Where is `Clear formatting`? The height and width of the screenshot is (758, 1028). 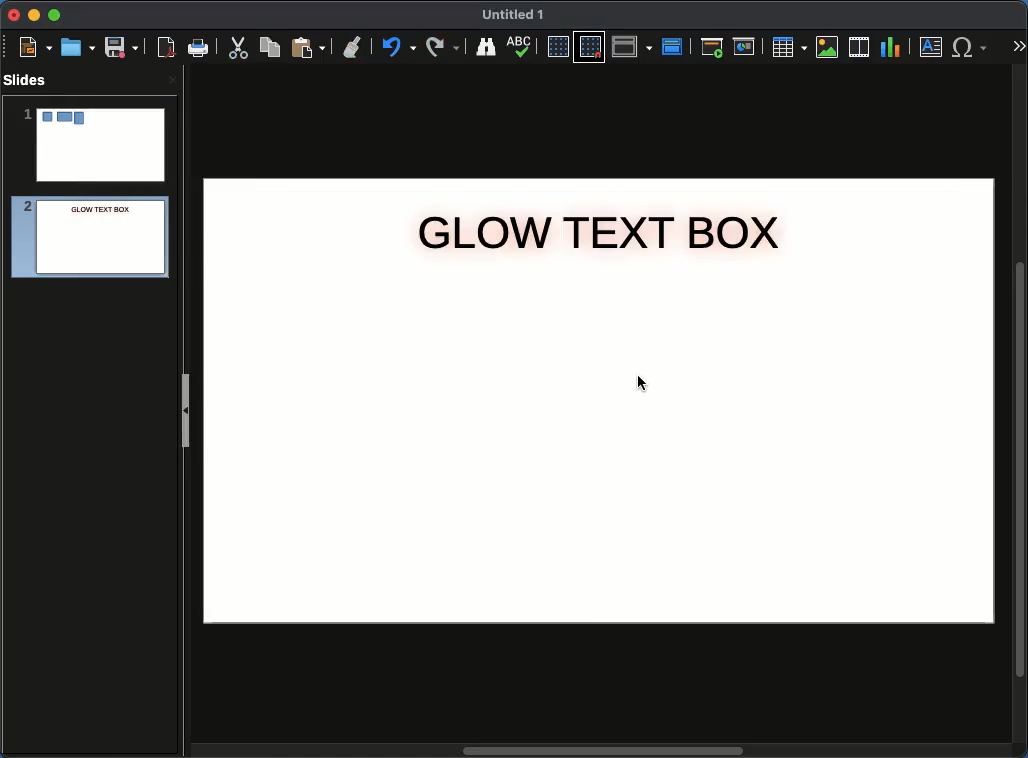 Clear formatting is located at coordinates (353, 45).